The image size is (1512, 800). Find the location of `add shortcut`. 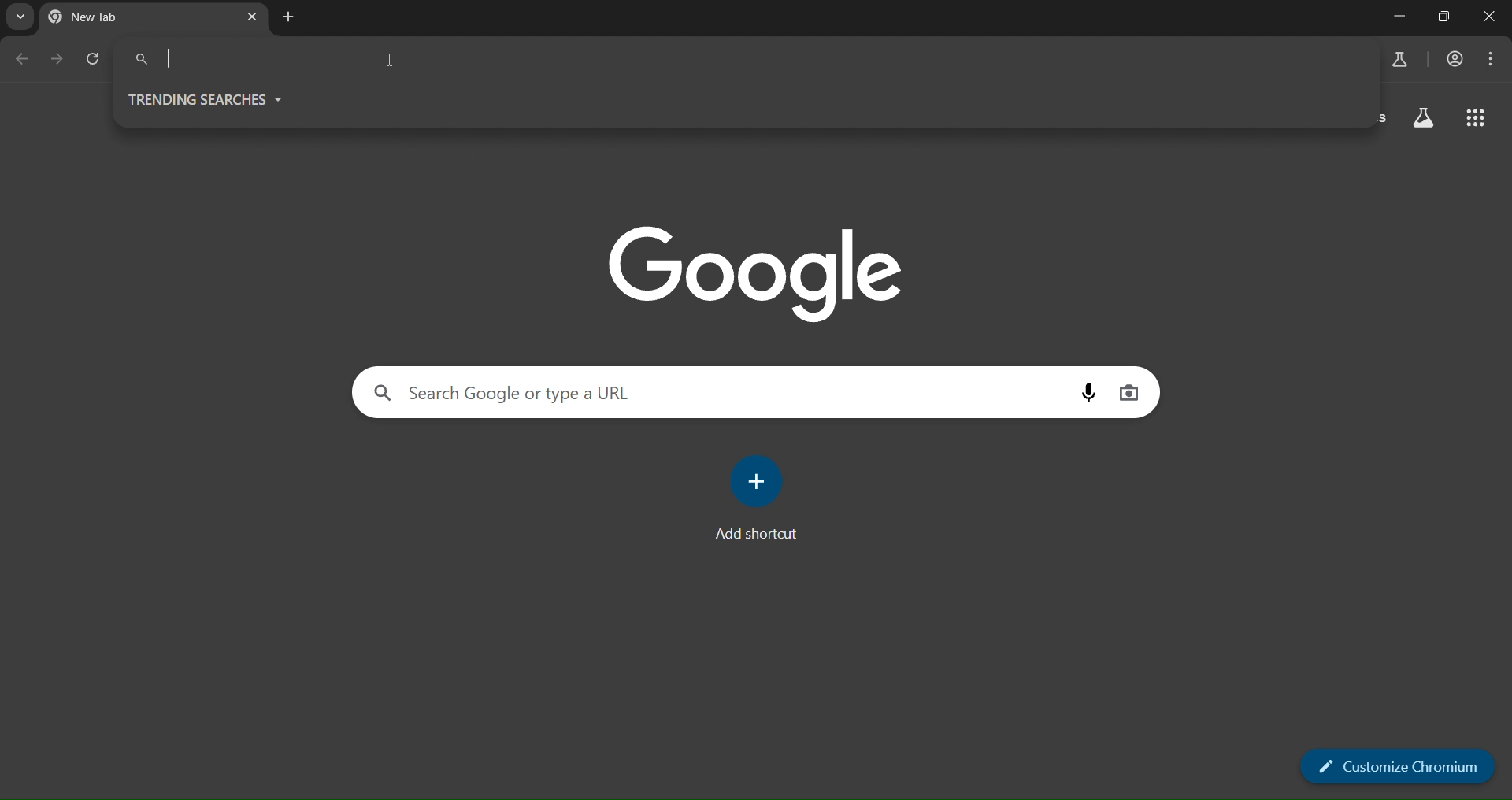

add shortcut is located at coordinates (762, 499).